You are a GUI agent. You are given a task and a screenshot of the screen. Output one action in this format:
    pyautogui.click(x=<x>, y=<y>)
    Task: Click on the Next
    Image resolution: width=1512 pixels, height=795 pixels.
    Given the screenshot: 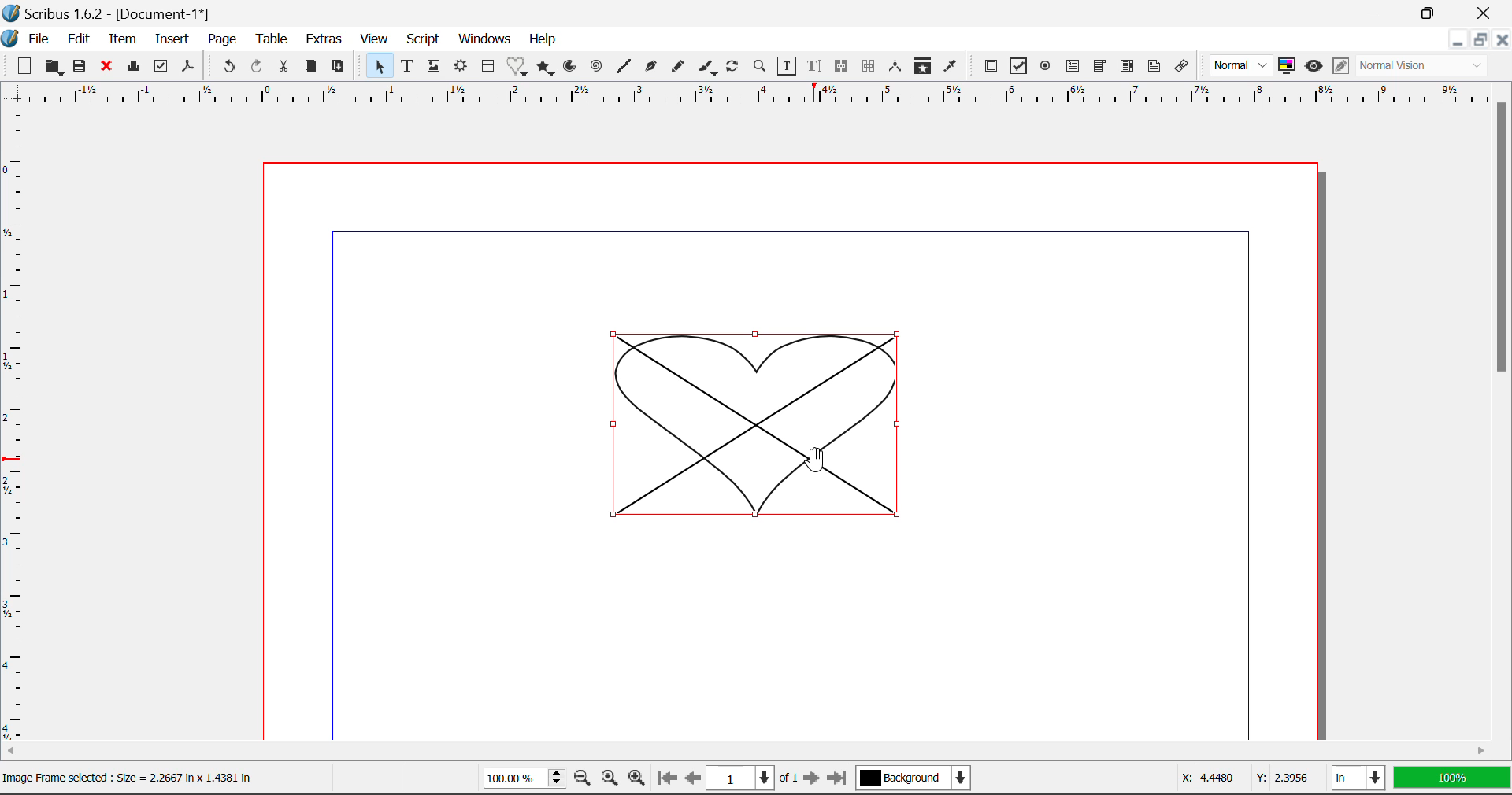 What is the action you would take?
    pyautogui.click(x=813, y=779)
    